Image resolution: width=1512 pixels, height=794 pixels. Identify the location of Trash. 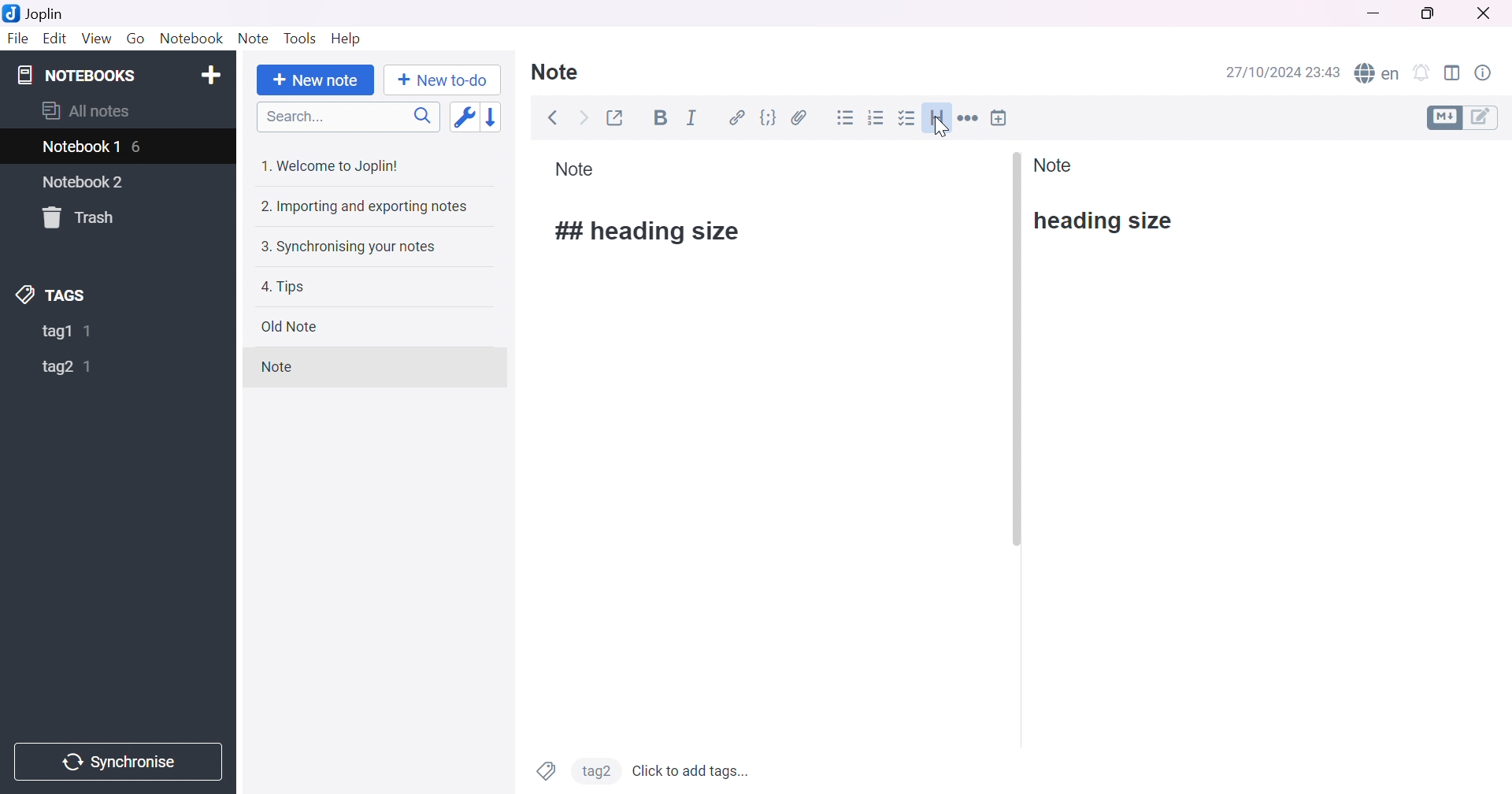
(76, 216).